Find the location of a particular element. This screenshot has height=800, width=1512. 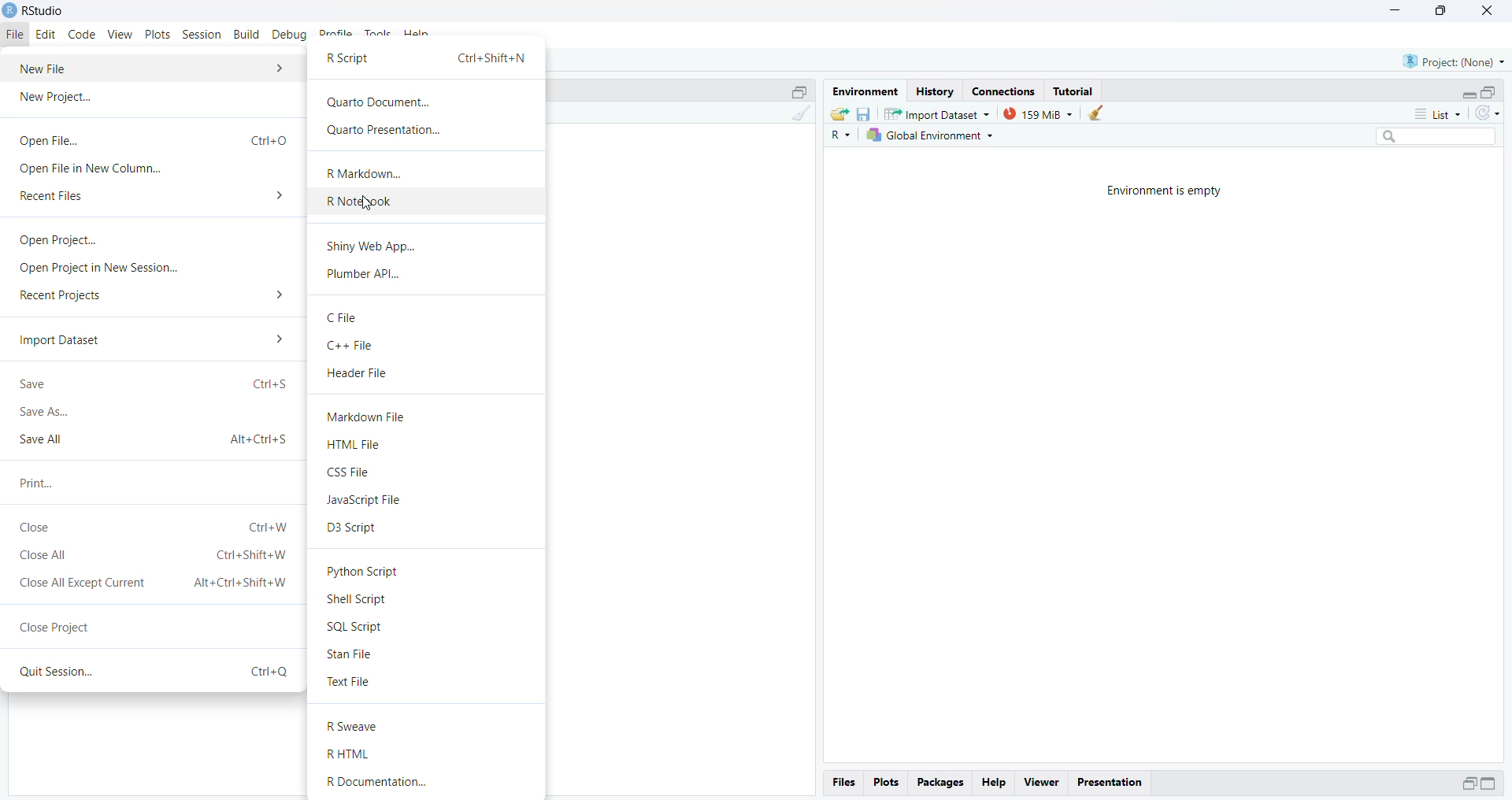

collapse is located at coordinates (798, 91).